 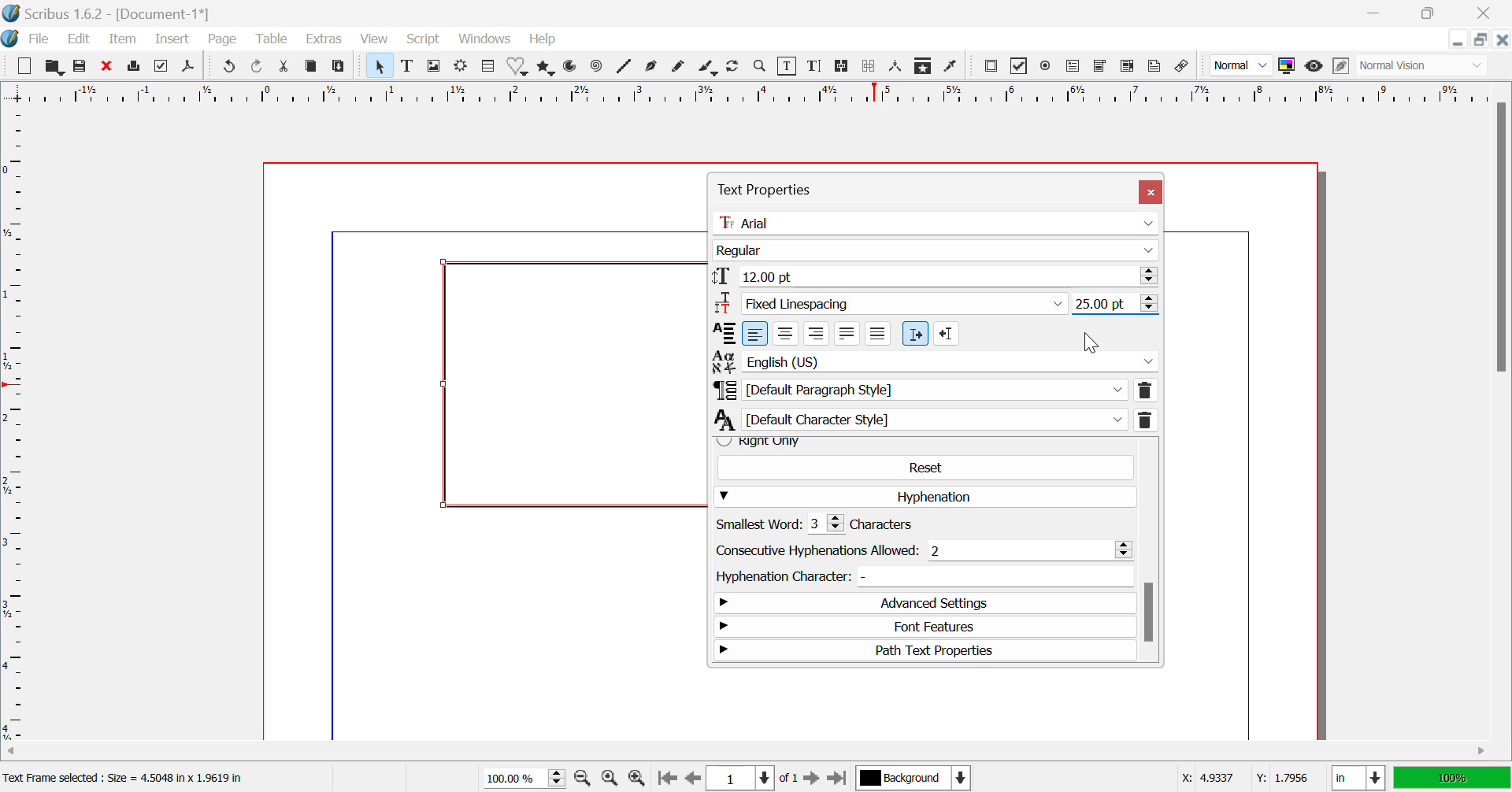 What do you see at coordinates (1281, 776) in the screenshot?
I see `Y: 1.7956` at bounding box center [1281, 776].